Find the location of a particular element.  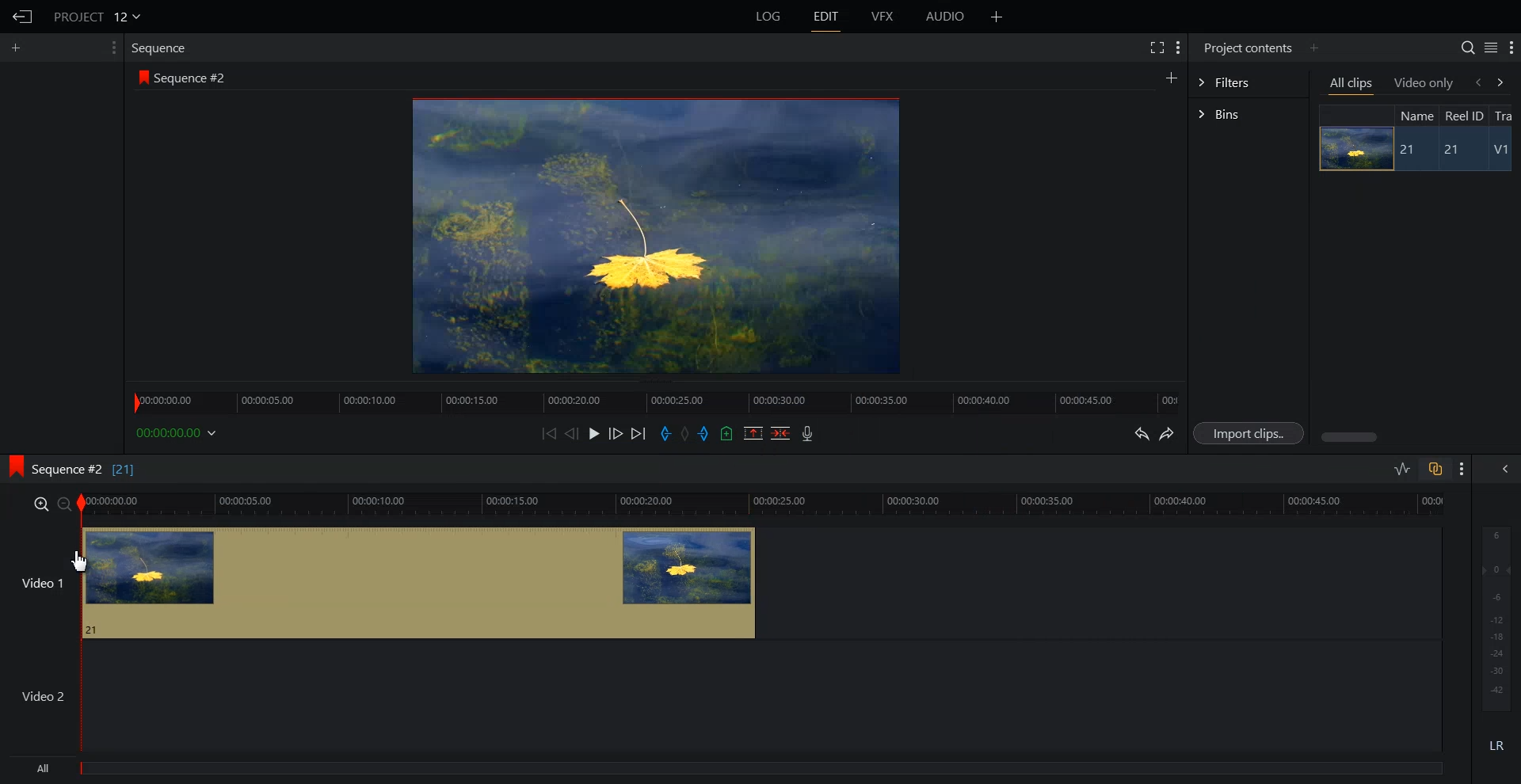

Add panel is located at coordinates (1313, 48).